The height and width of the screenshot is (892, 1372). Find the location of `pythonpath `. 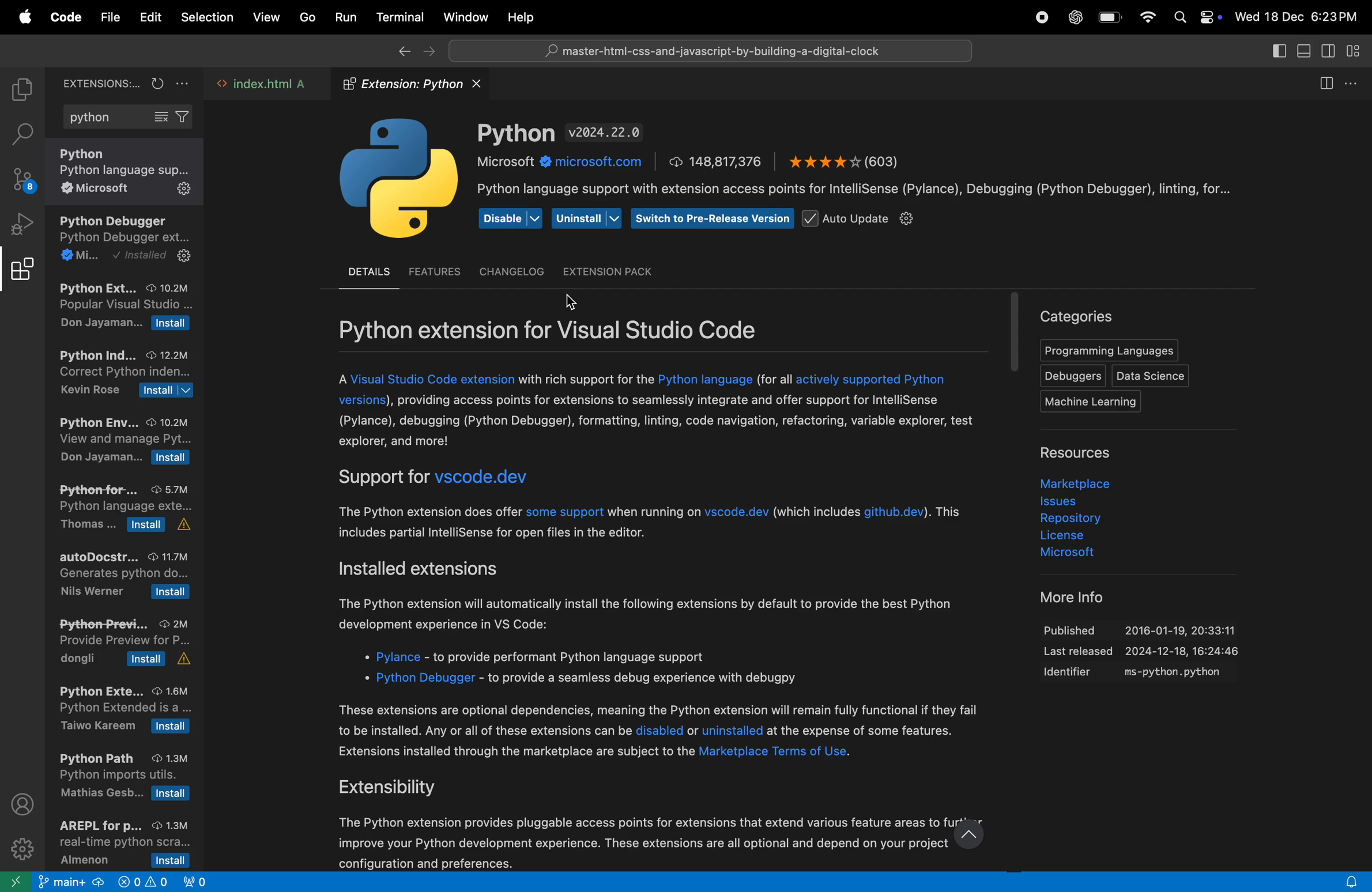

pythonpath  is located at coordinates (126, 778).